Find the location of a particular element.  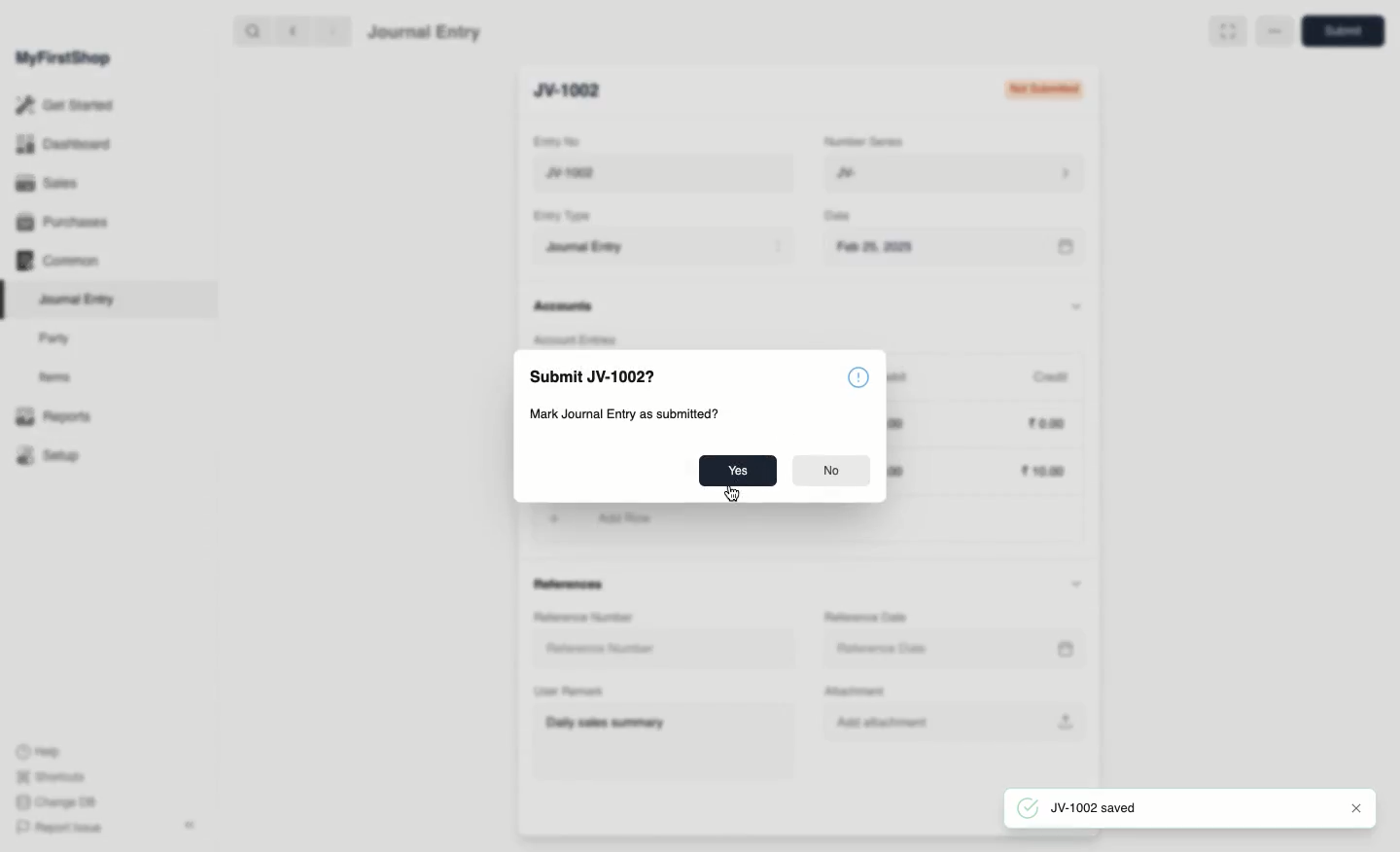

Submit JV-1002? is located at coordinates (596, 379).